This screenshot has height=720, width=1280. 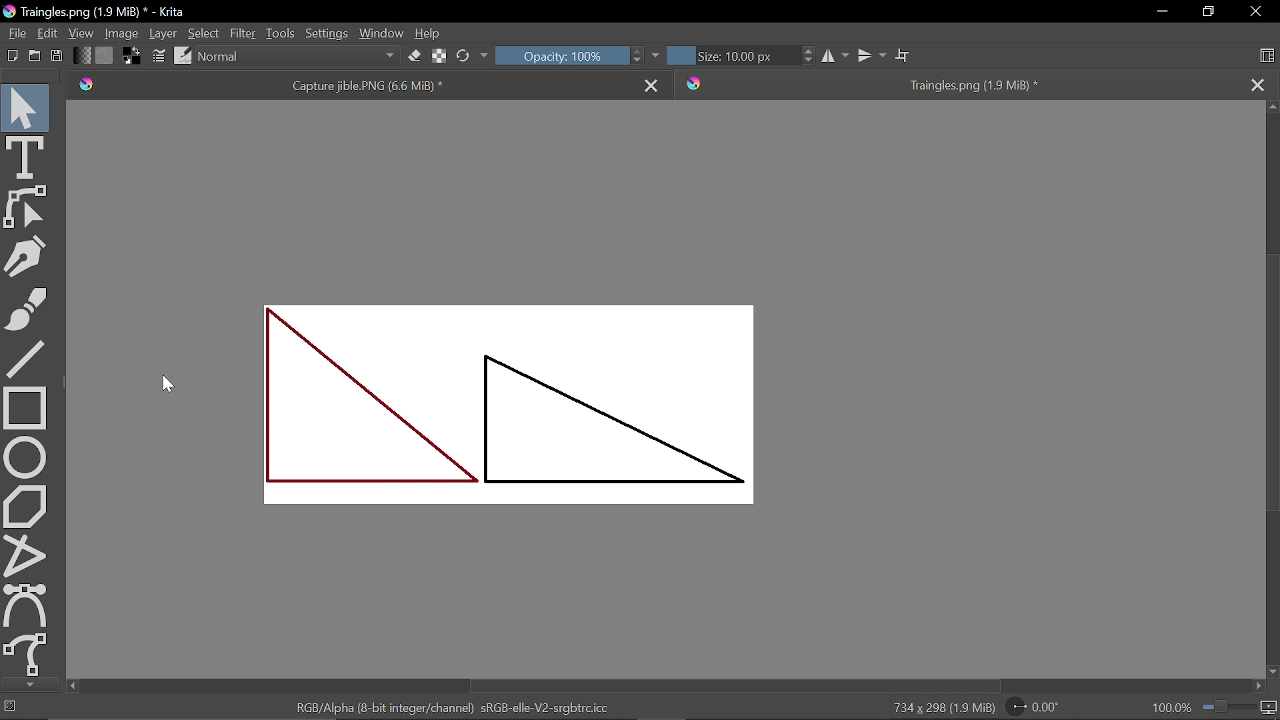 What do you see at coordinates (731, 683) in the screenshot?
I see `Horizontal scrollbar` at bounding box center [731, 683].